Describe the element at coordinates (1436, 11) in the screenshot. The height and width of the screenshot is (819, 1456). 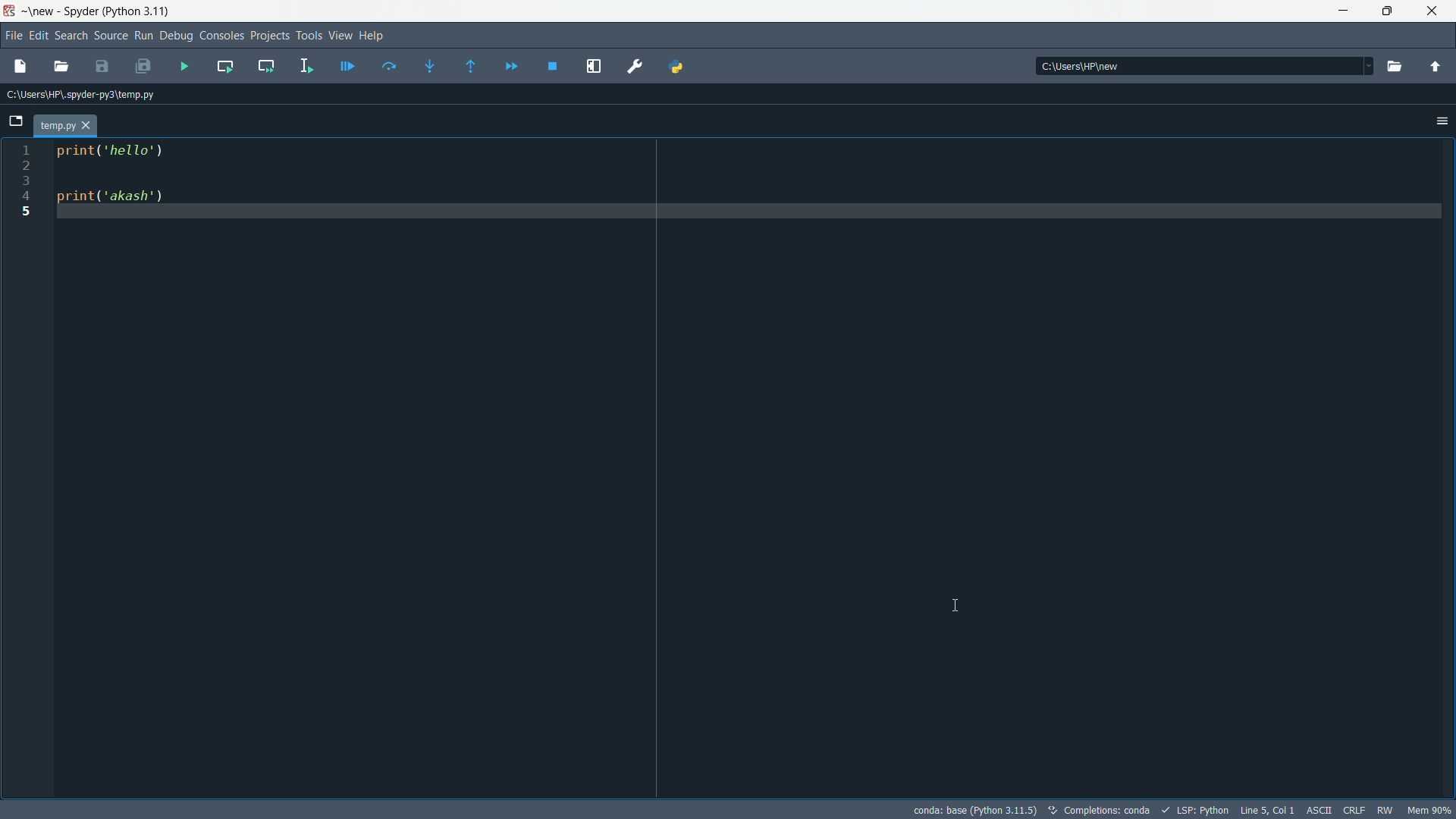
I see `close app` at that location.